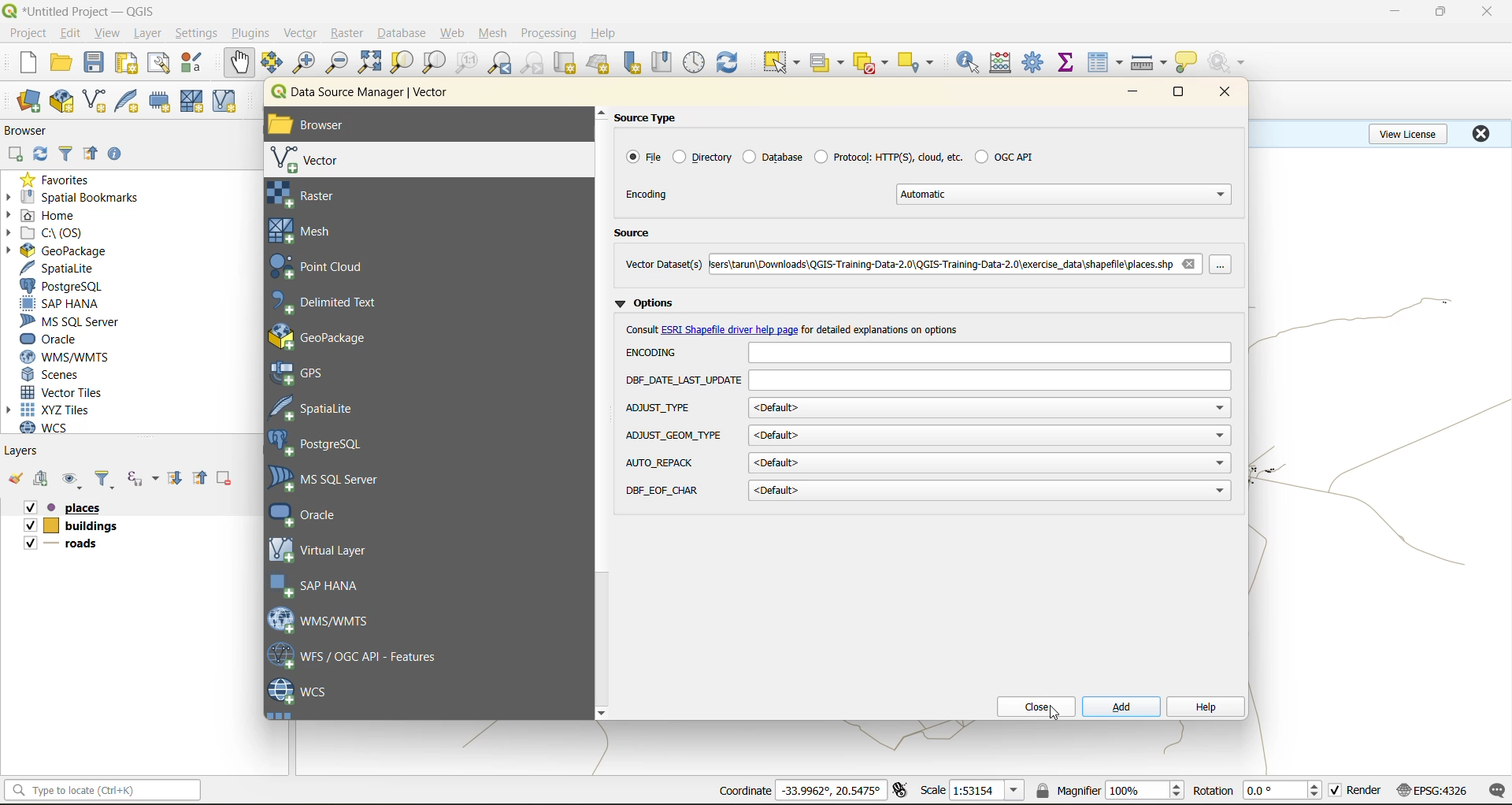  What do you see at coordinates (495, 35) in the screenshot?
I see `mesh` at bounding box center [495, 35].